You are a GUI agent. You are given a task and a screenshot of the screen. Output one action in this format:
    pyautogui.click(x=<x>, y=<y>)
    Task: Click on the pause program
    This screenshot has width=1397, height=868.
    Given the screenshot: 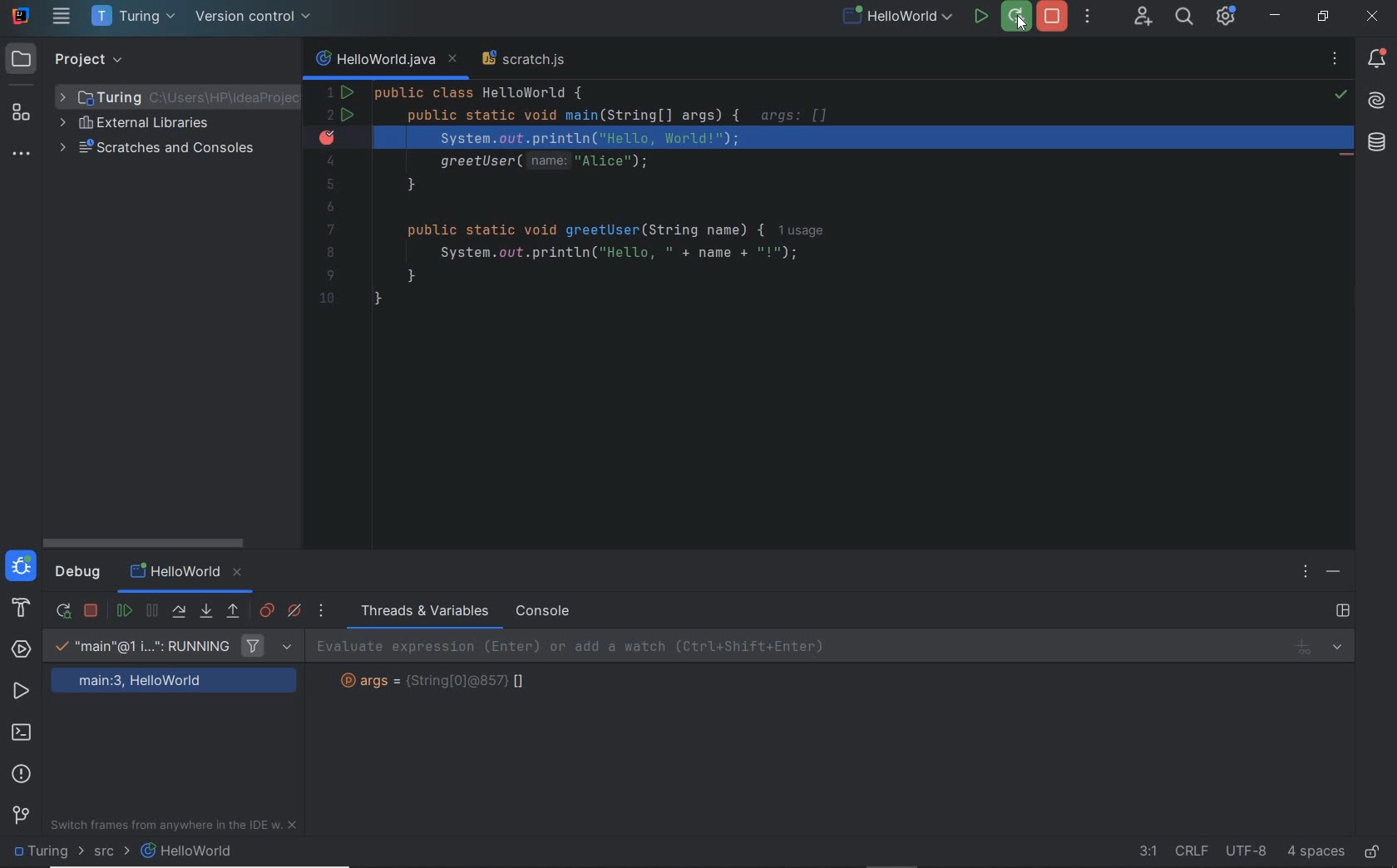 What is the action you would take?
    pyautogui.click(x=152, y=612)
    